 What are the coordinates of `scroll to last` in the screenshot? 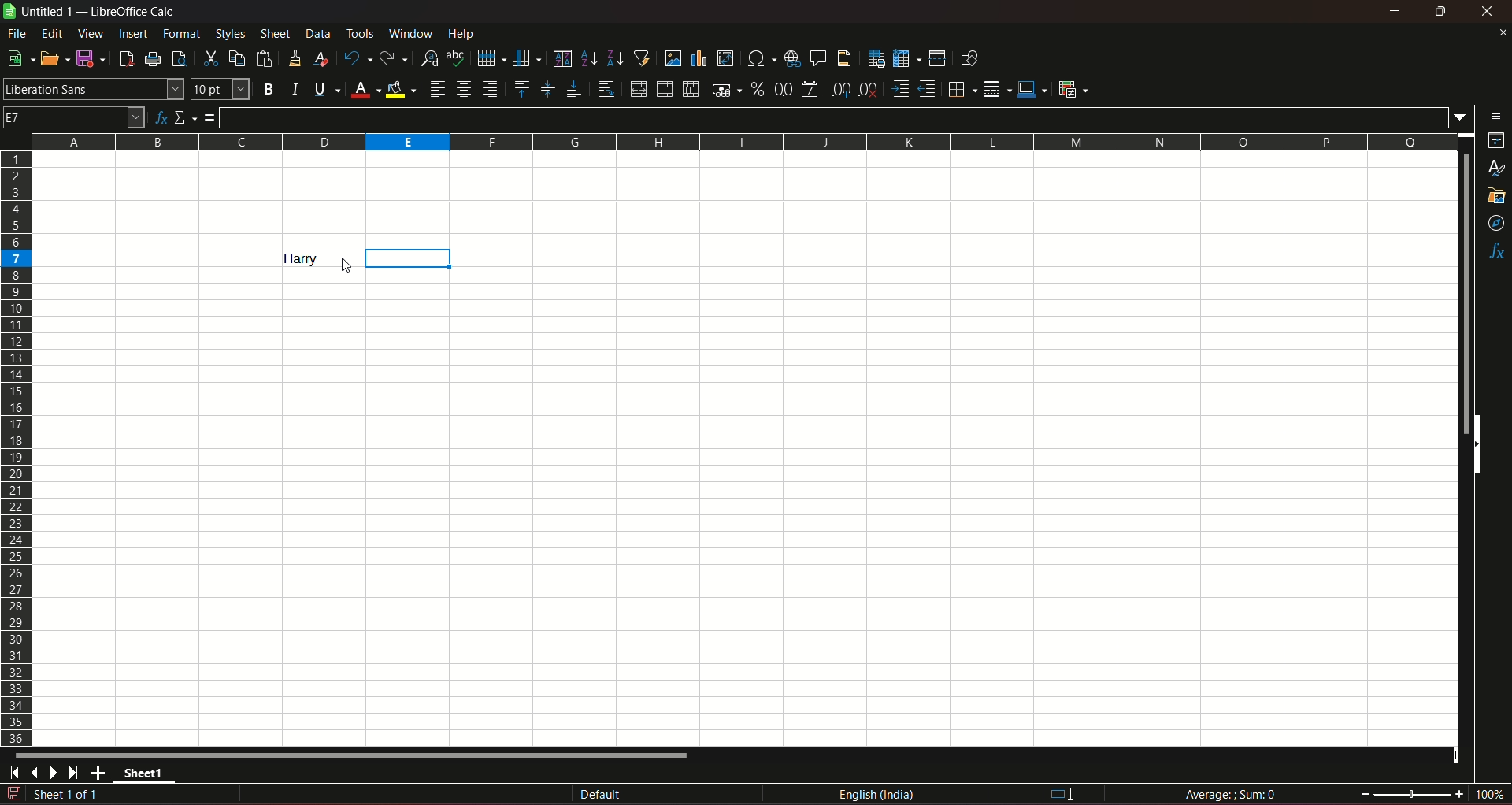 It's located at (78, 773).